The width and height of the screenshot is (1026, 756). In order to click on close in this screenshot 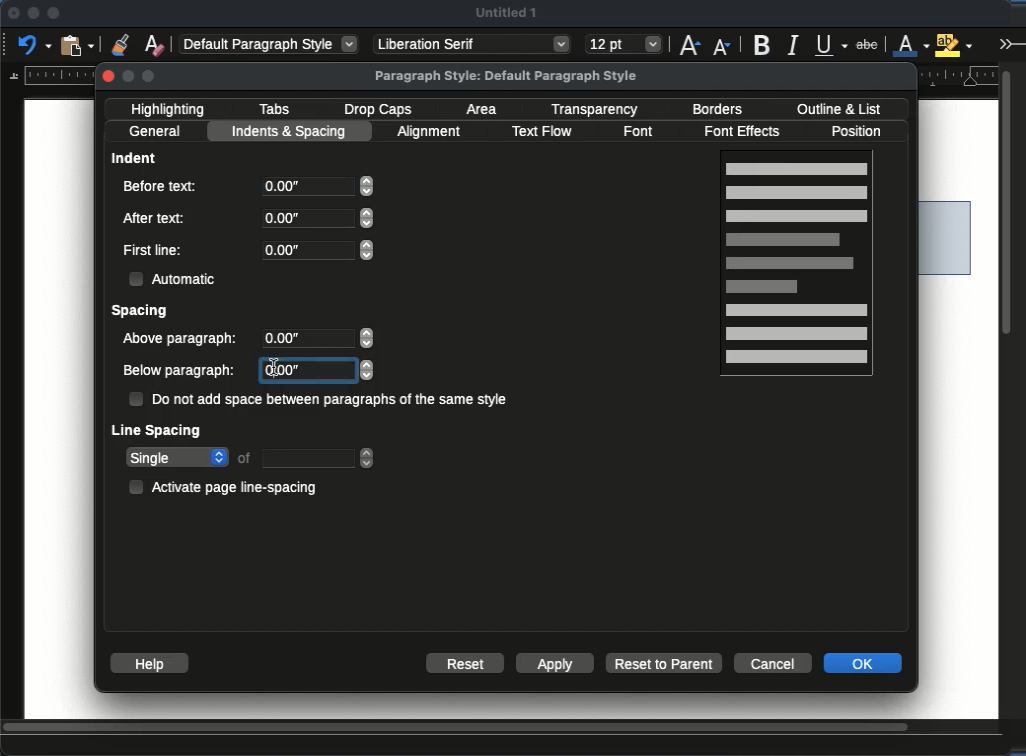, I will do `click(12, 14)`.